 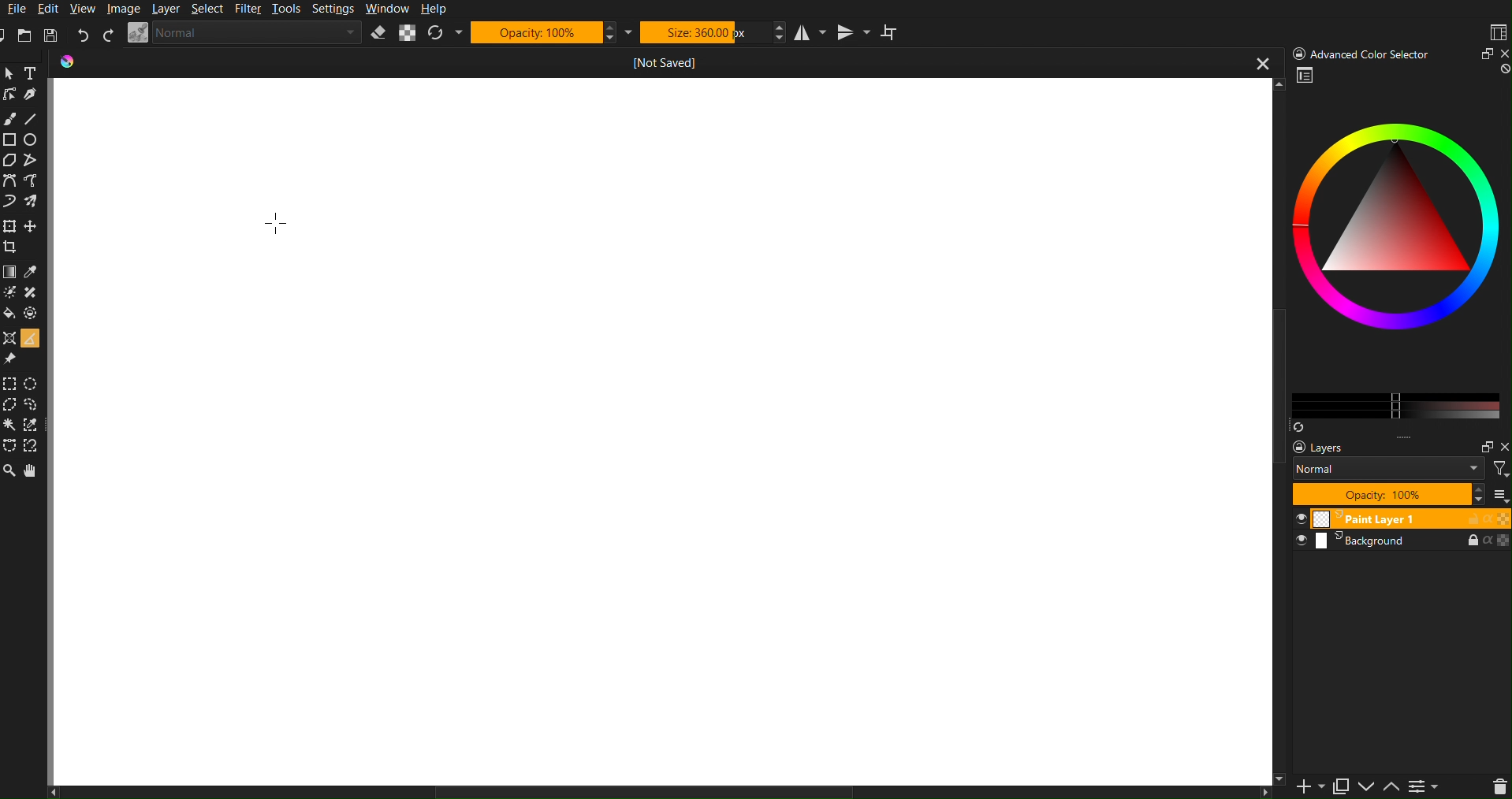 What do you see at coordinates (11, 200) in the screenshot?
I see `Red Eye Fix` at bounding box center [11, 200].